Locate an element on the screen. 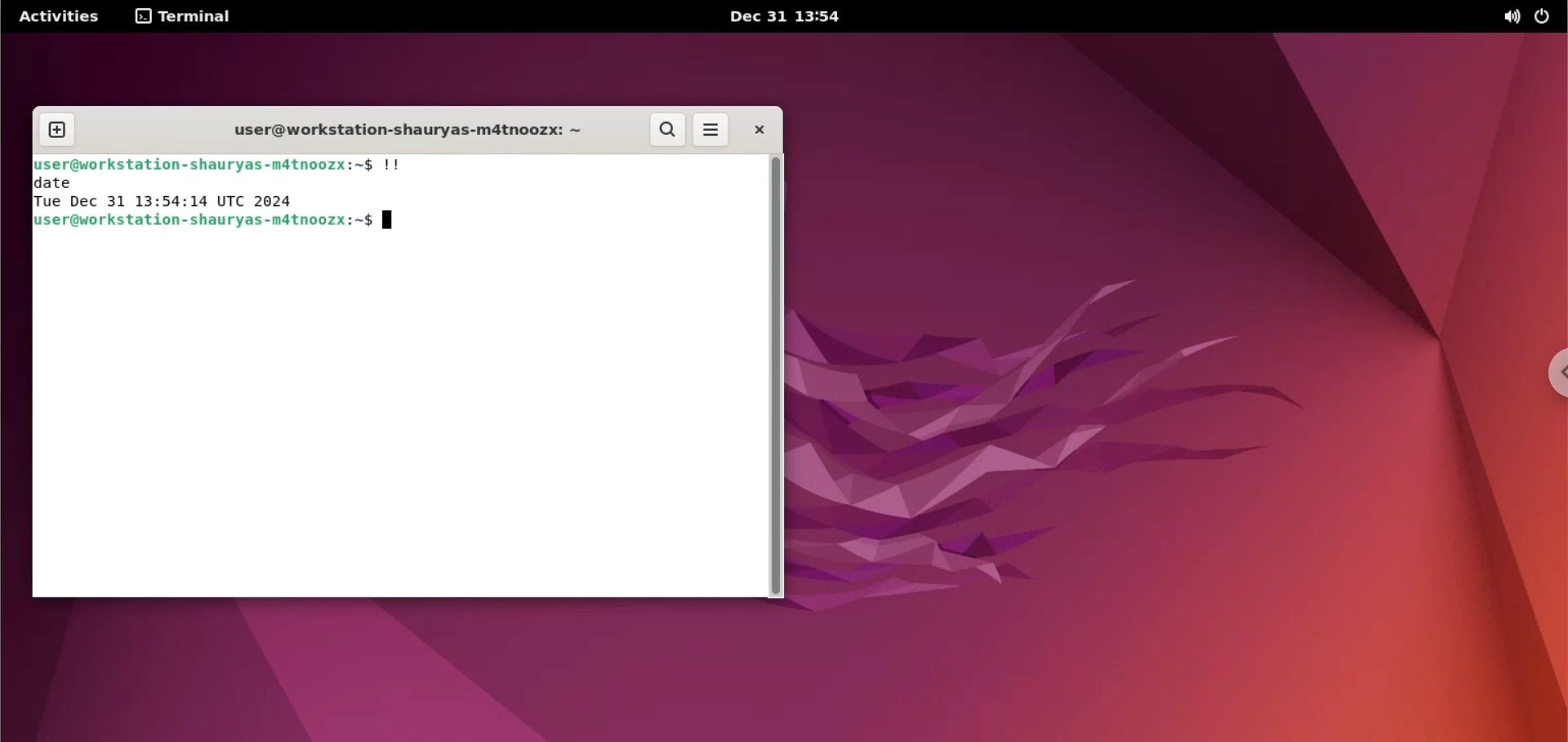 The width and height of the screenshot is (1568, 742). sound options is located at coordinates (1508, 17).